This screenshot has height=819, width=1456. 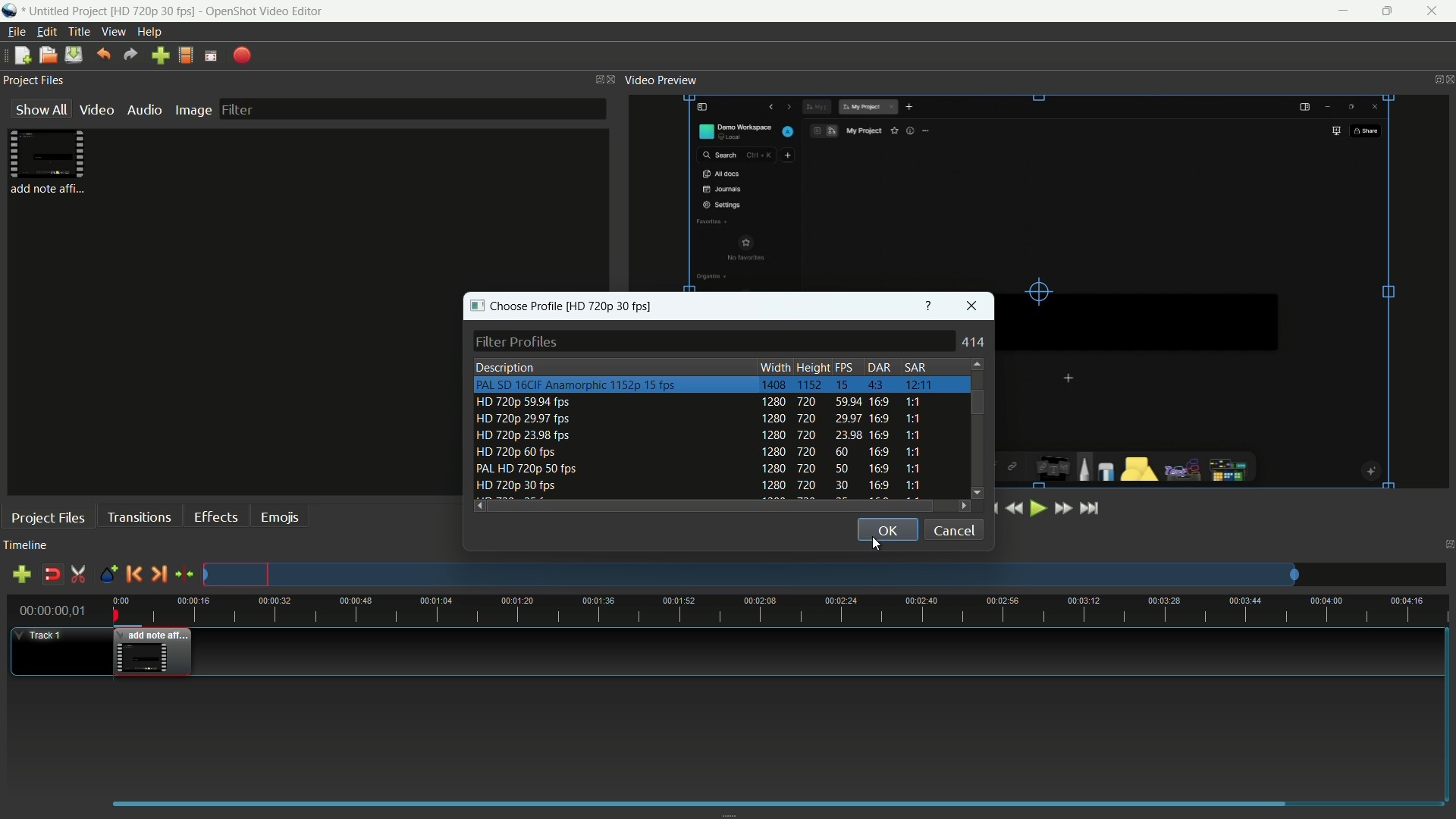 What do you see at coordinates (1341, 11) in the screenshot?
I see `minimize` at bounding box center [1341, 11].